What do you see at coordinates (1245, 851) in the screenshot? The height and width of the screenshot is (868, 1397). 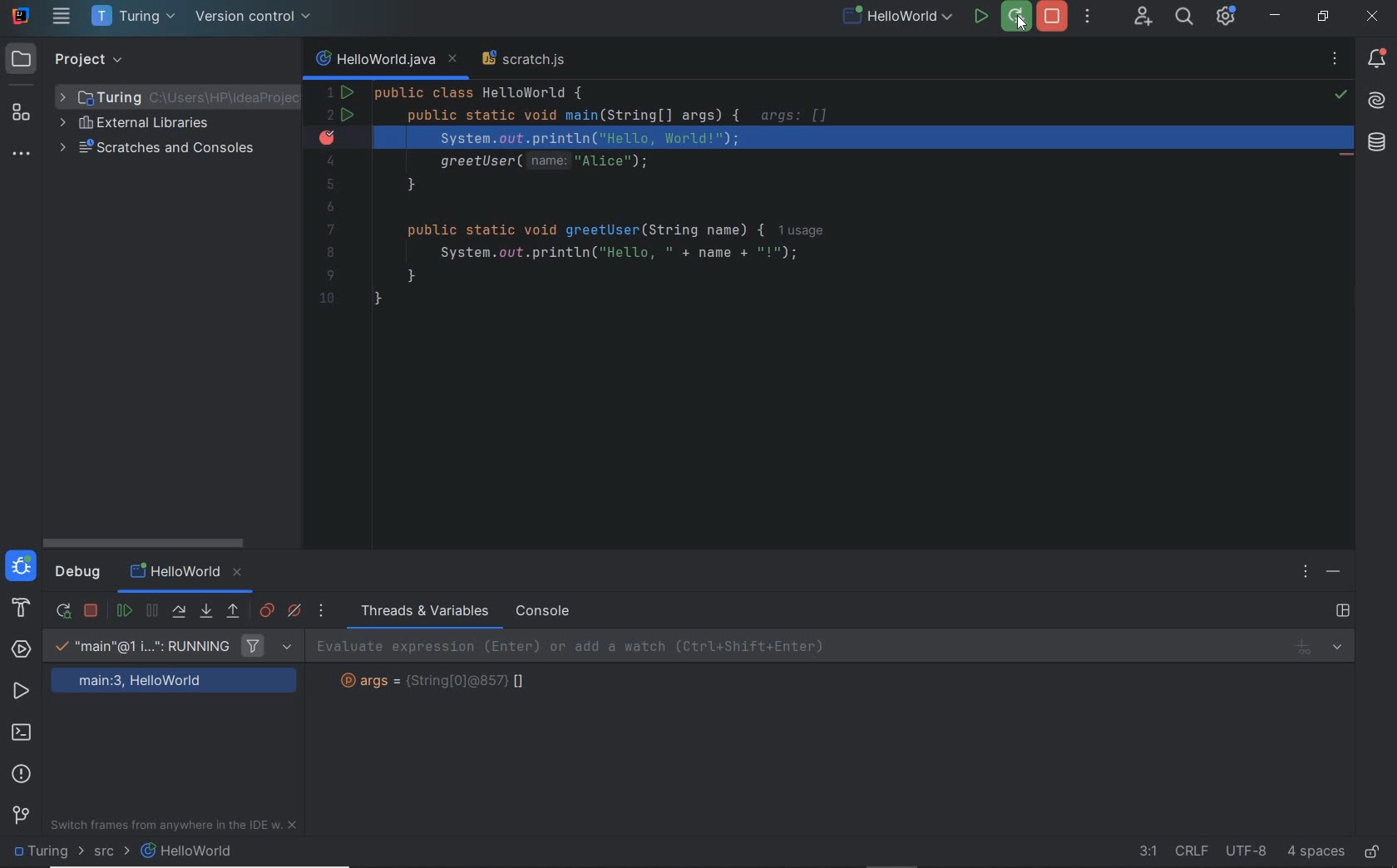 I see `file encoding` at bounding box center [1245, 851].